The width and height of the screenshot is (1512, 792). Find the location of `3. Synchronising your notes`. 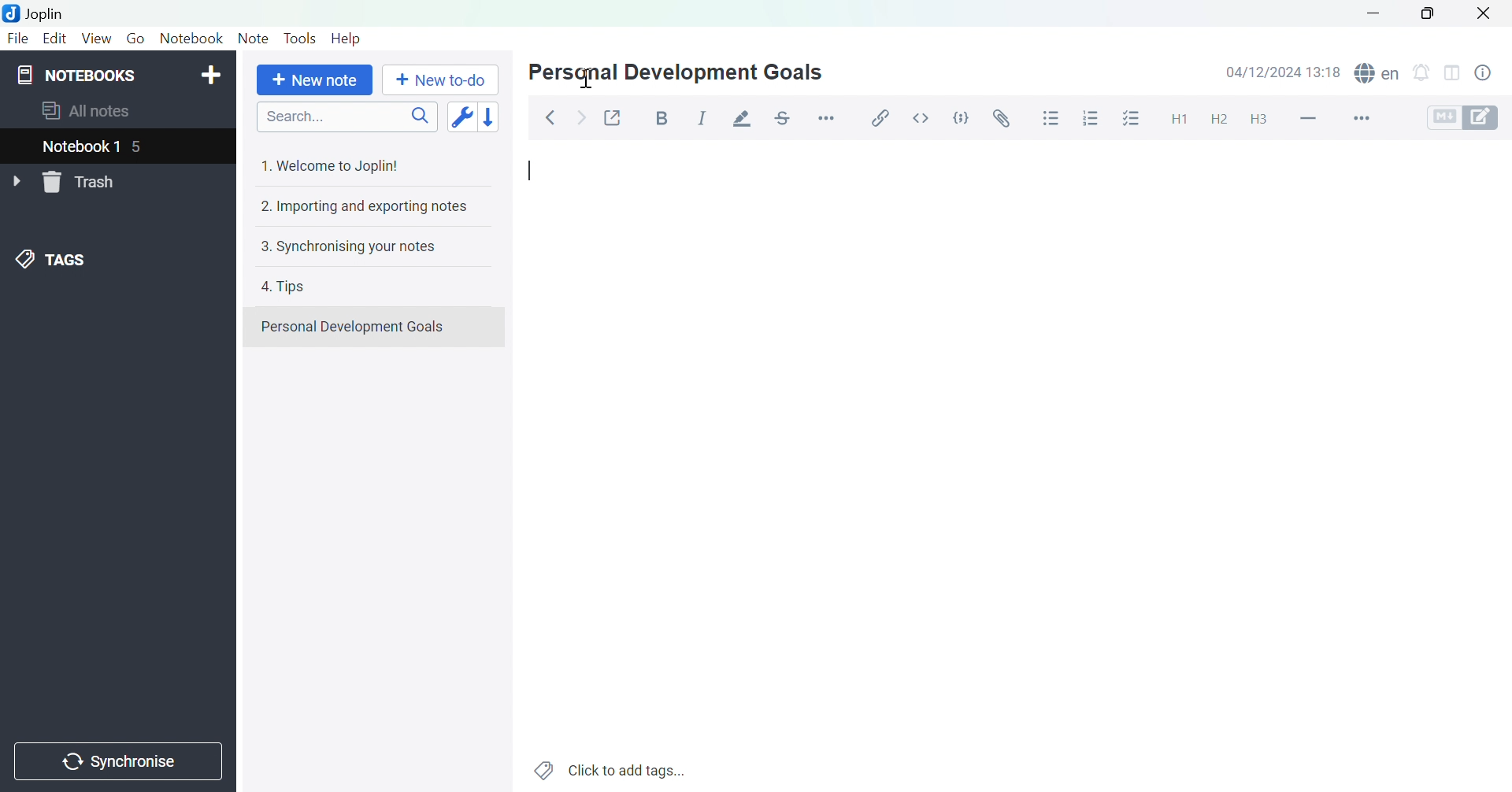

3. Synchronising your notes is located at coordinates (353, 246).